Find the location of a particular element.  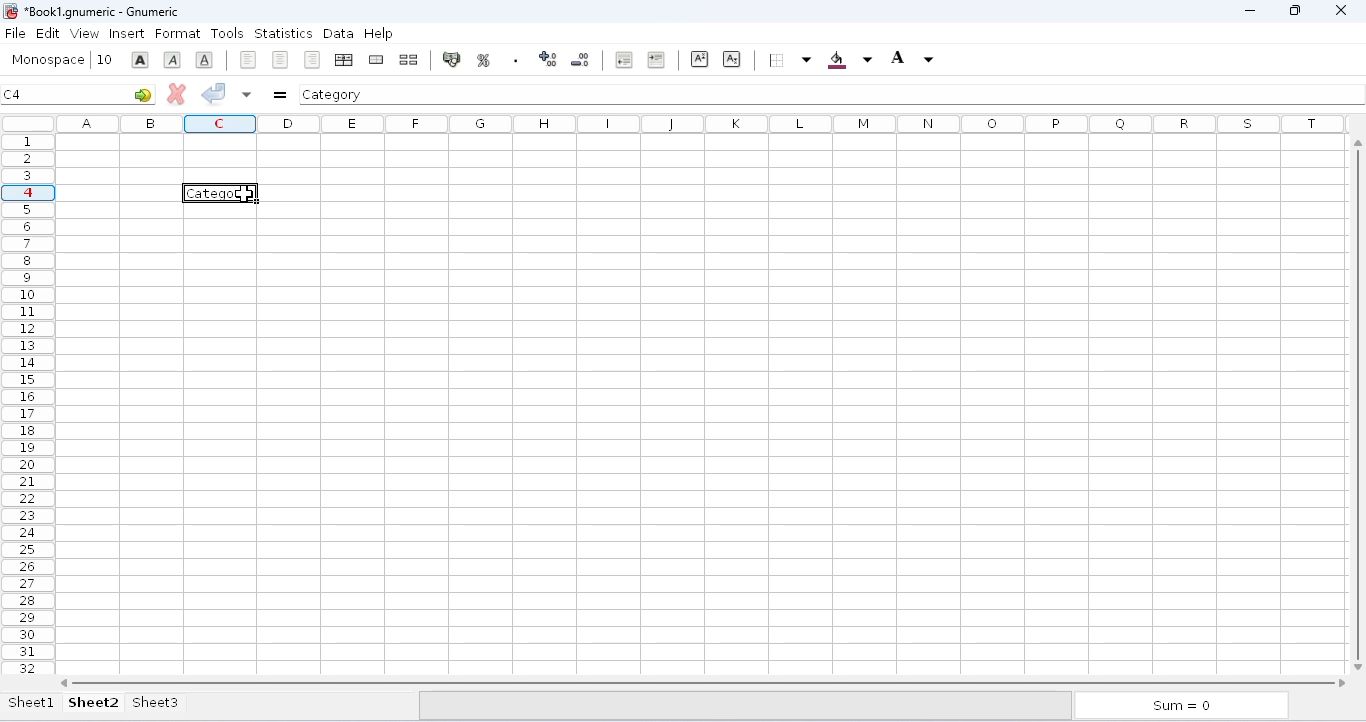

increase the indent is located at coordinates (656, 59).